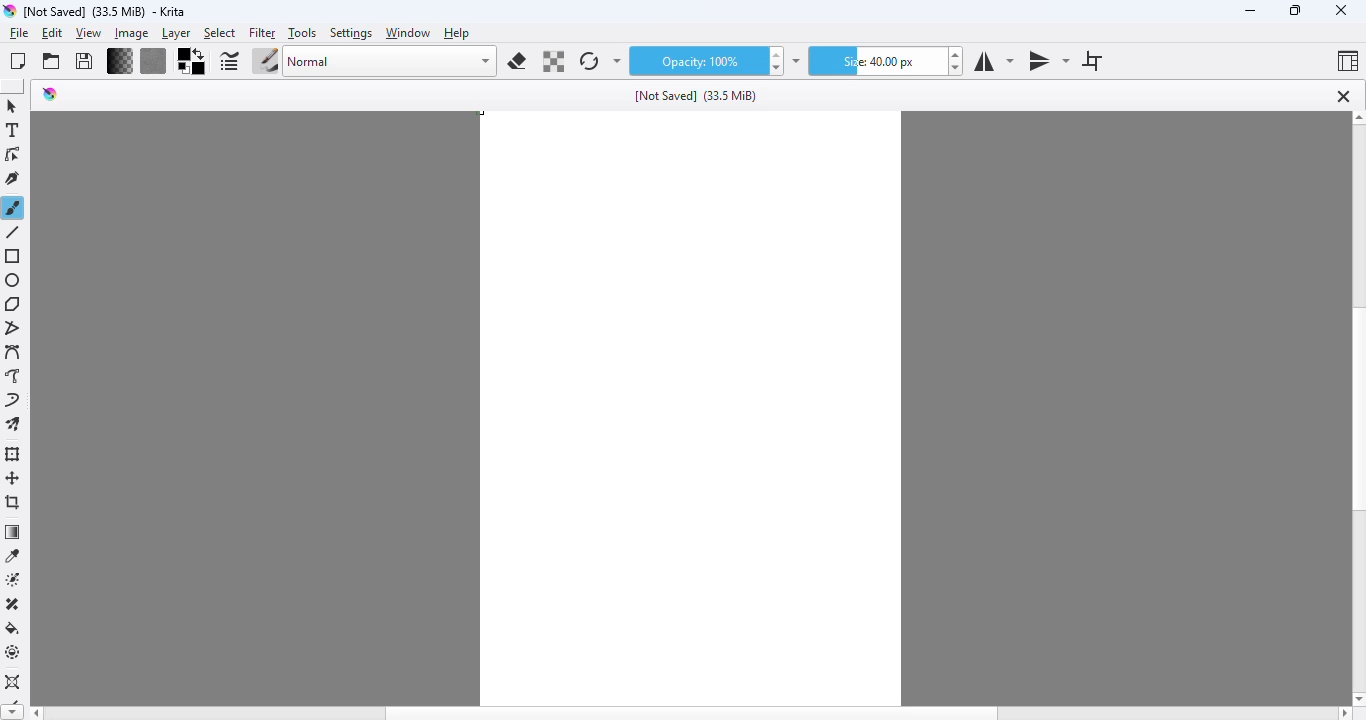 This screenshot has width=1366, height=720. What do you see at coordinates (12, 531) in the screenshot?
I see `draw a gradient` at bounding box center [12, 531].